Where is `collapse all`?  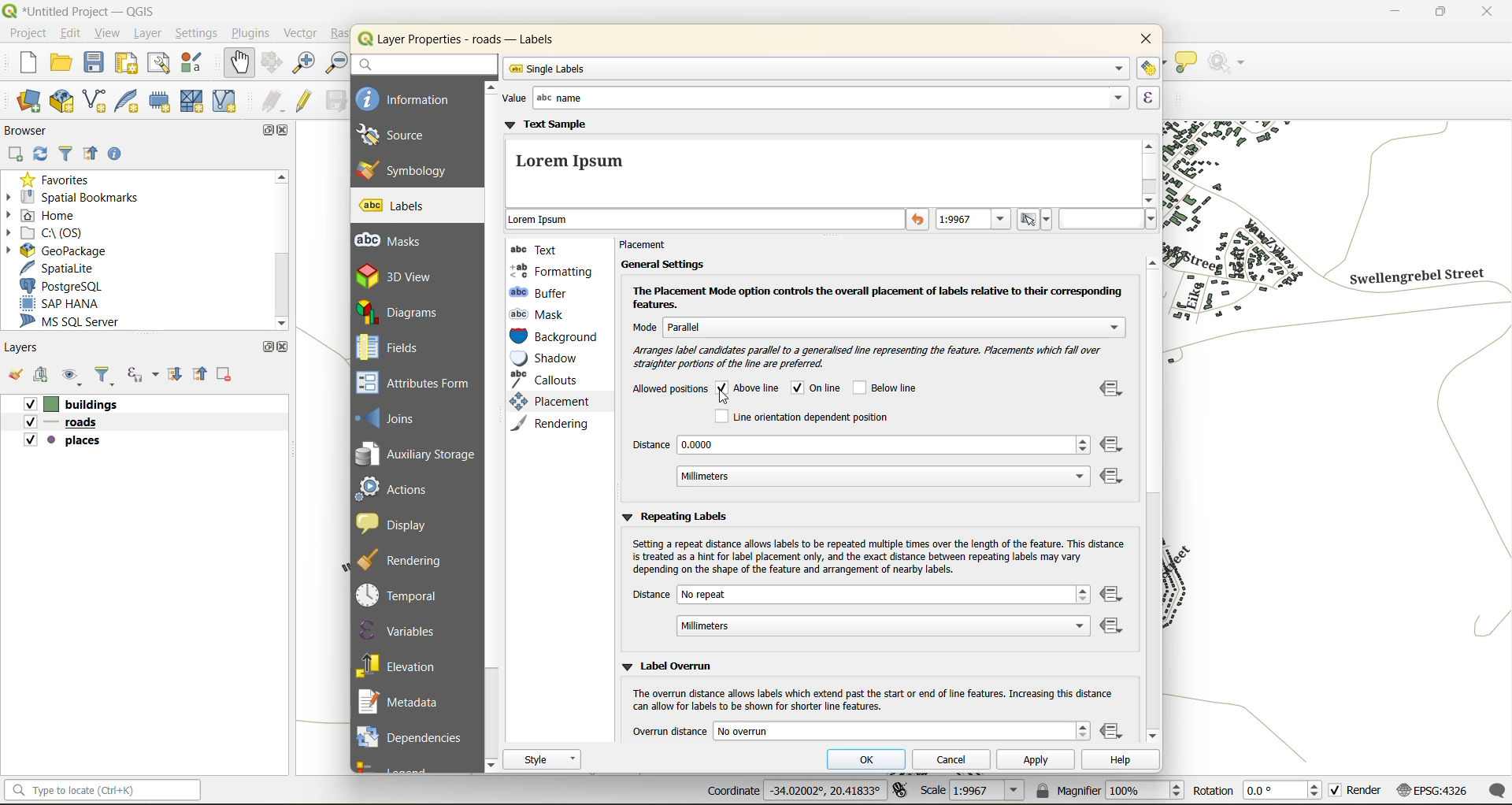 collapse all is located at coordinates (91, 153).